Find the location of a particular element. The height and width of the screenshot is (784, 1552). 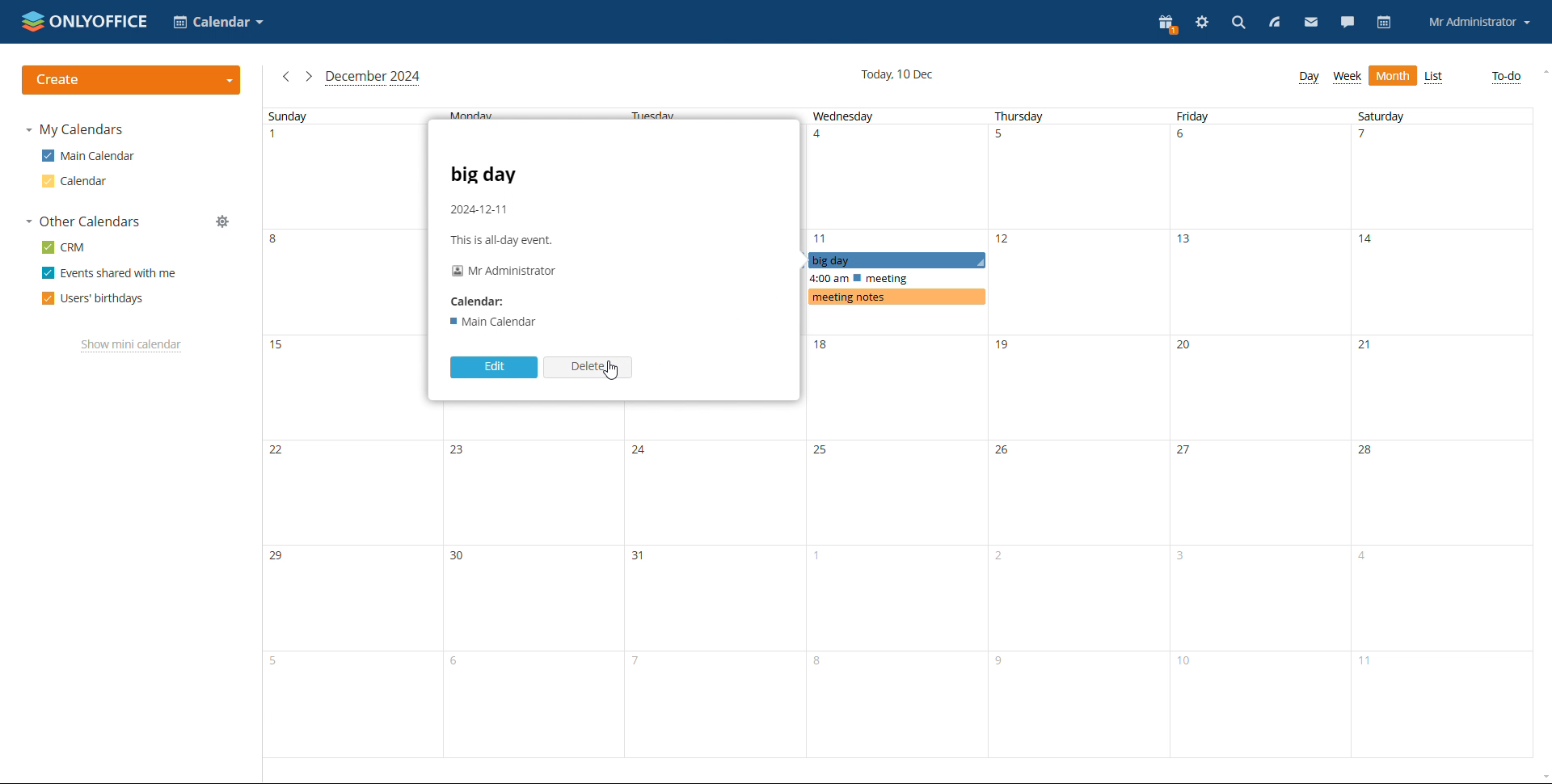

2024-12-11 is located at coordinates (482, 209).